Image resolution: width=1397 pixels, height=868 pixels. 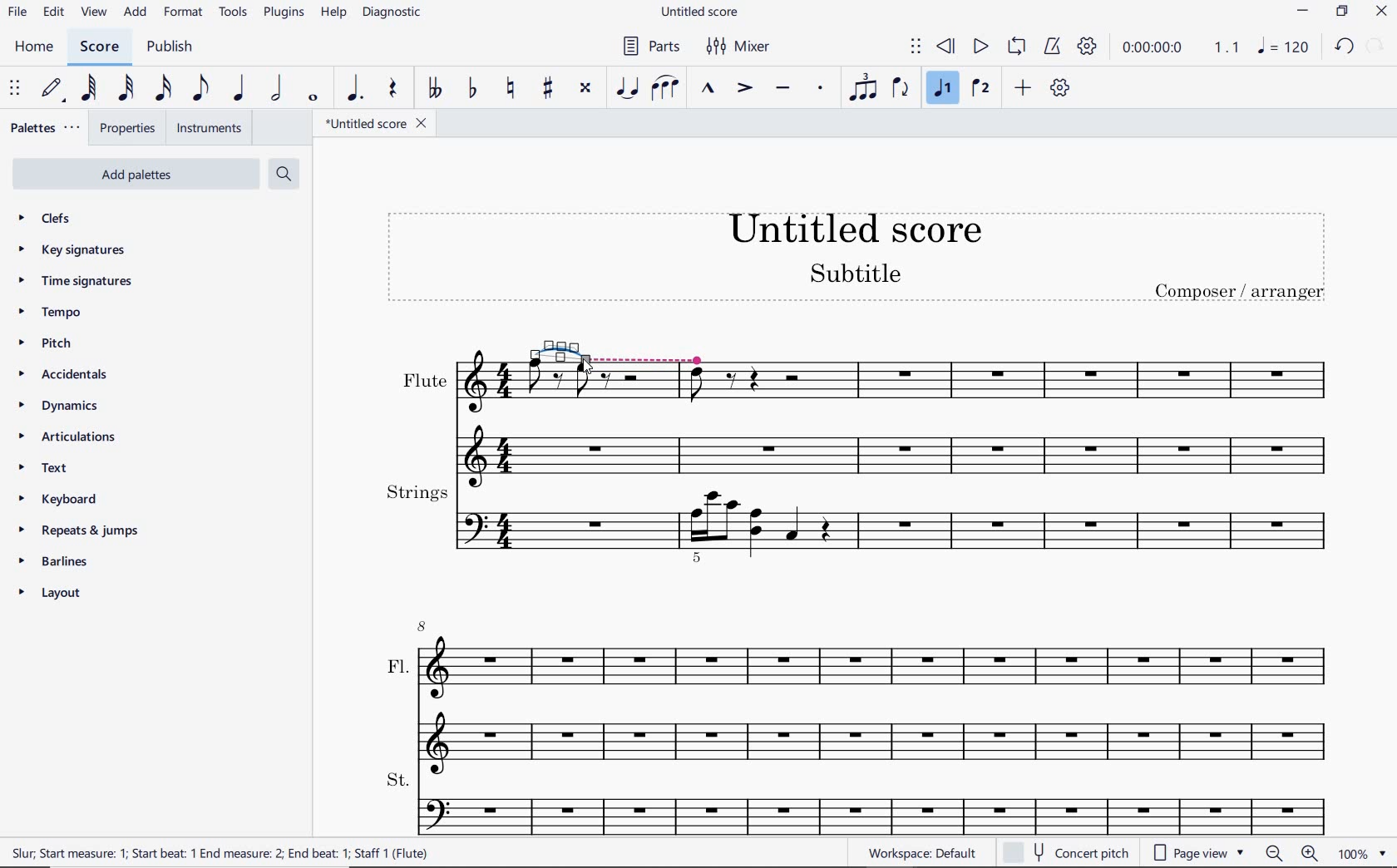 What do you see at coordinates (47, 130) in the screenshot?
I see `PALETTES` at bounding box center [47, 130].